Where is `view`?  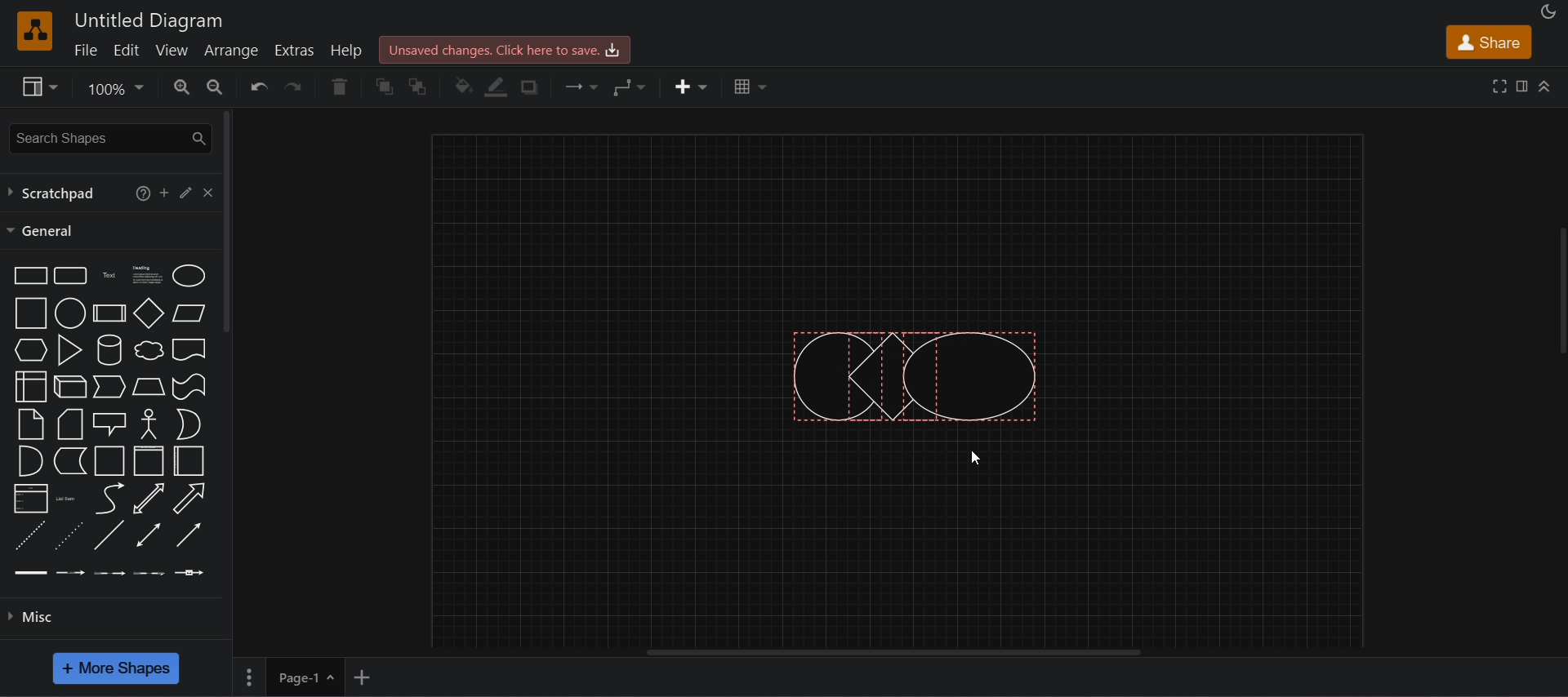 view is located at coordinates (173, 50).